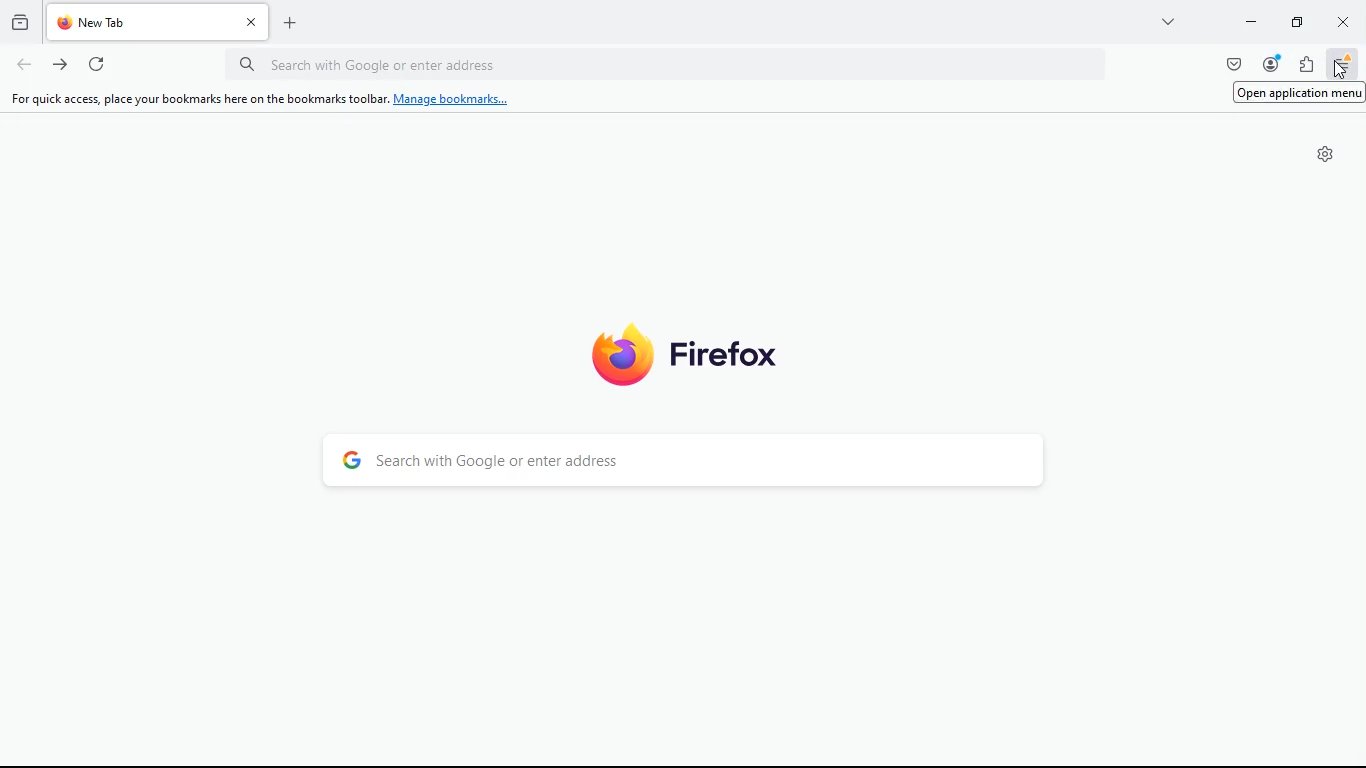 Image resolution: width=1366 pixels, height=768 pixels. I want to click on For quick access, place your bookmarks here on the bookmarks toolbar. Manage bookmarks..., so click(259, 99).